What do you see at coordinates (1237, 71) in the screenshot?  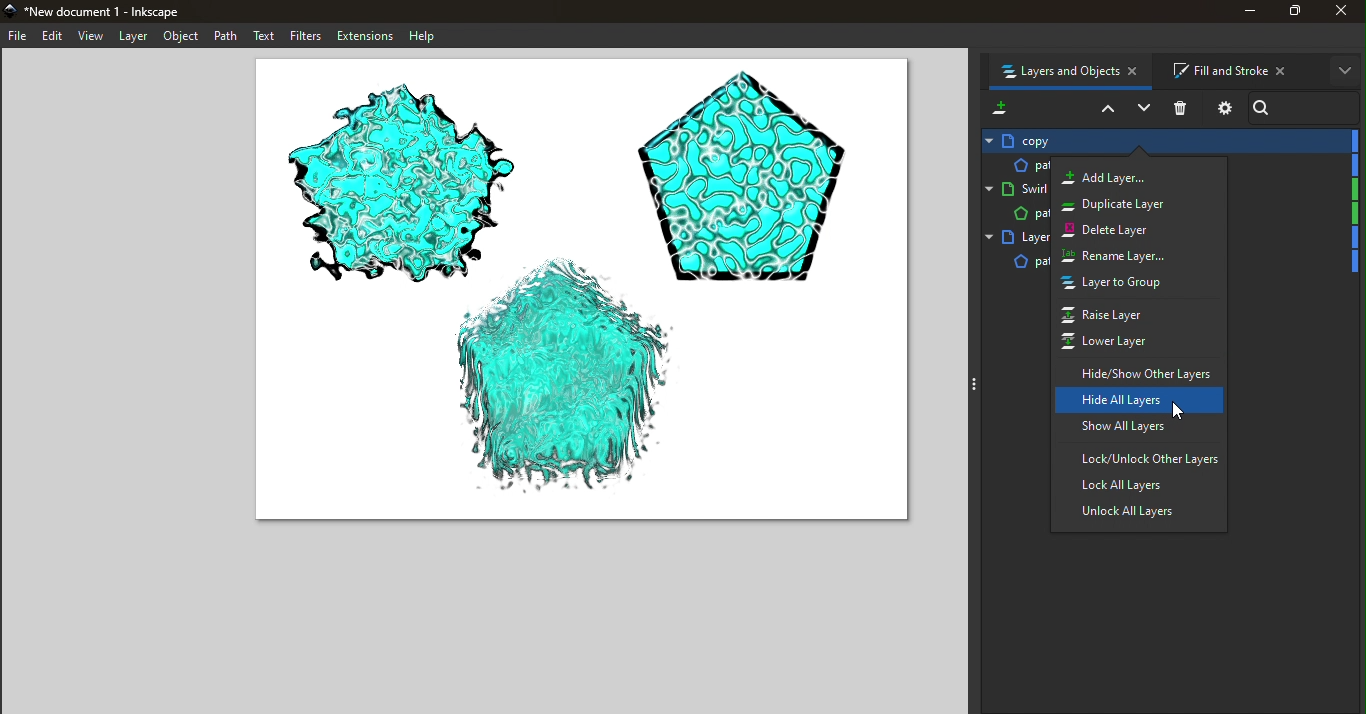 I see `Fill and Stroke` at bounding box center [1237, 71].